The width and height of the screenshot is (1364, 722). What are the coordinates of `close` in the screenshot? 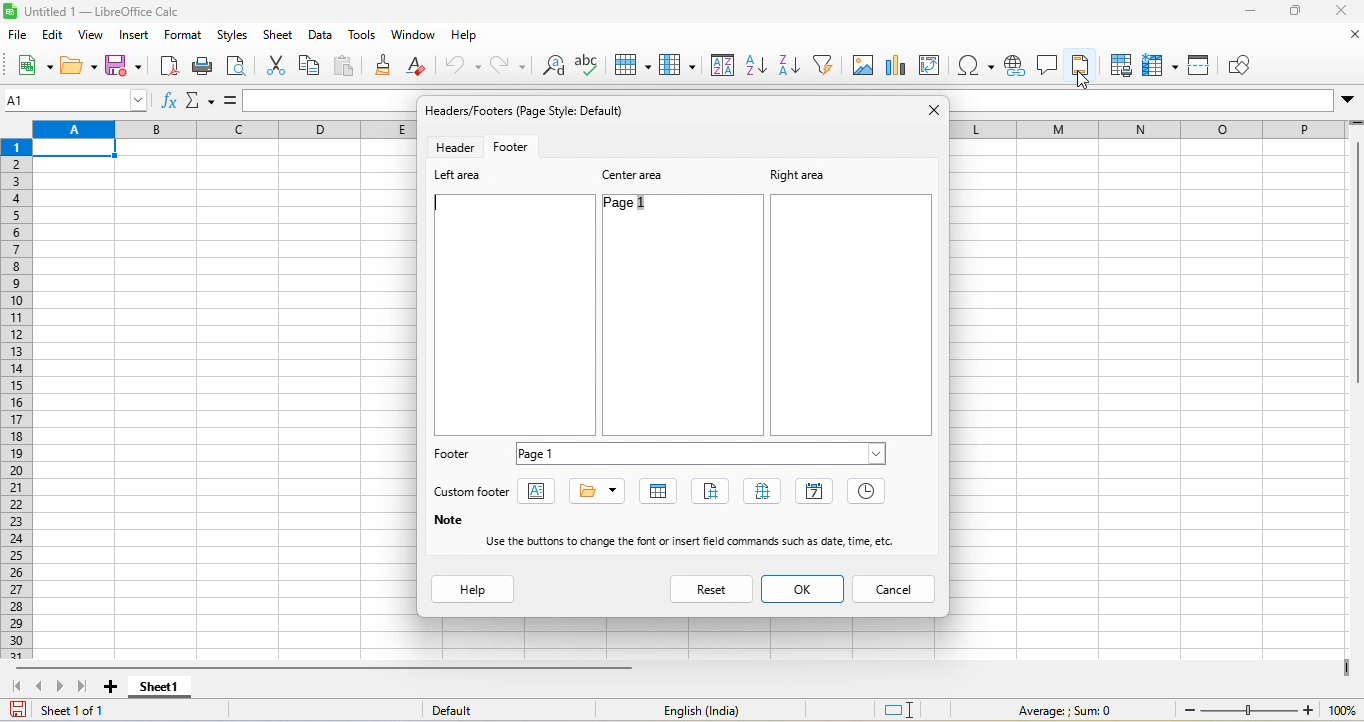 It's located at (932, 110).